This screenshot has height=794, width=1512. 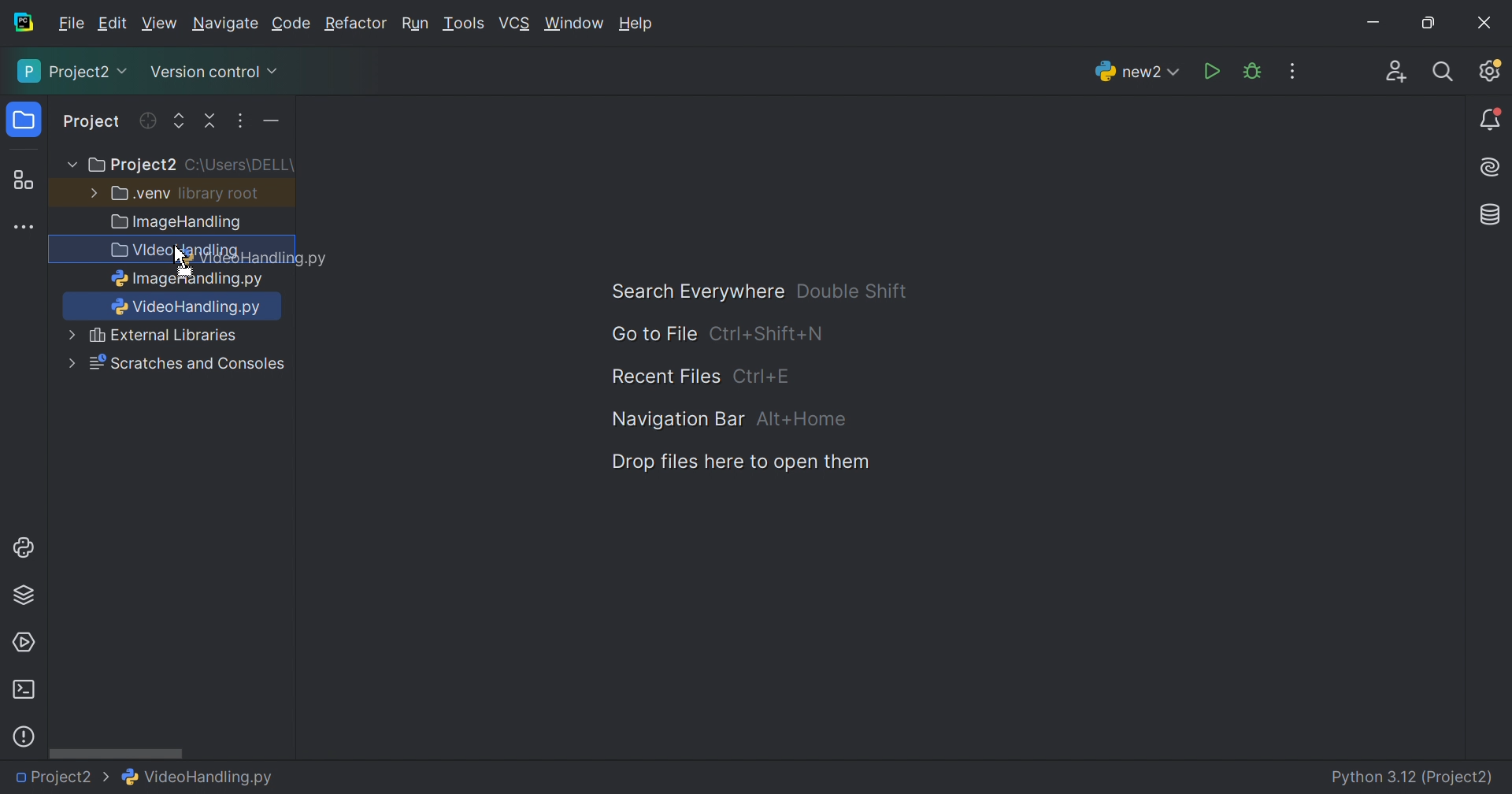 What do you see at coordinates (116, 752) in the screenshot?
I see `Scroll bar` at bounding box center [116, 752].